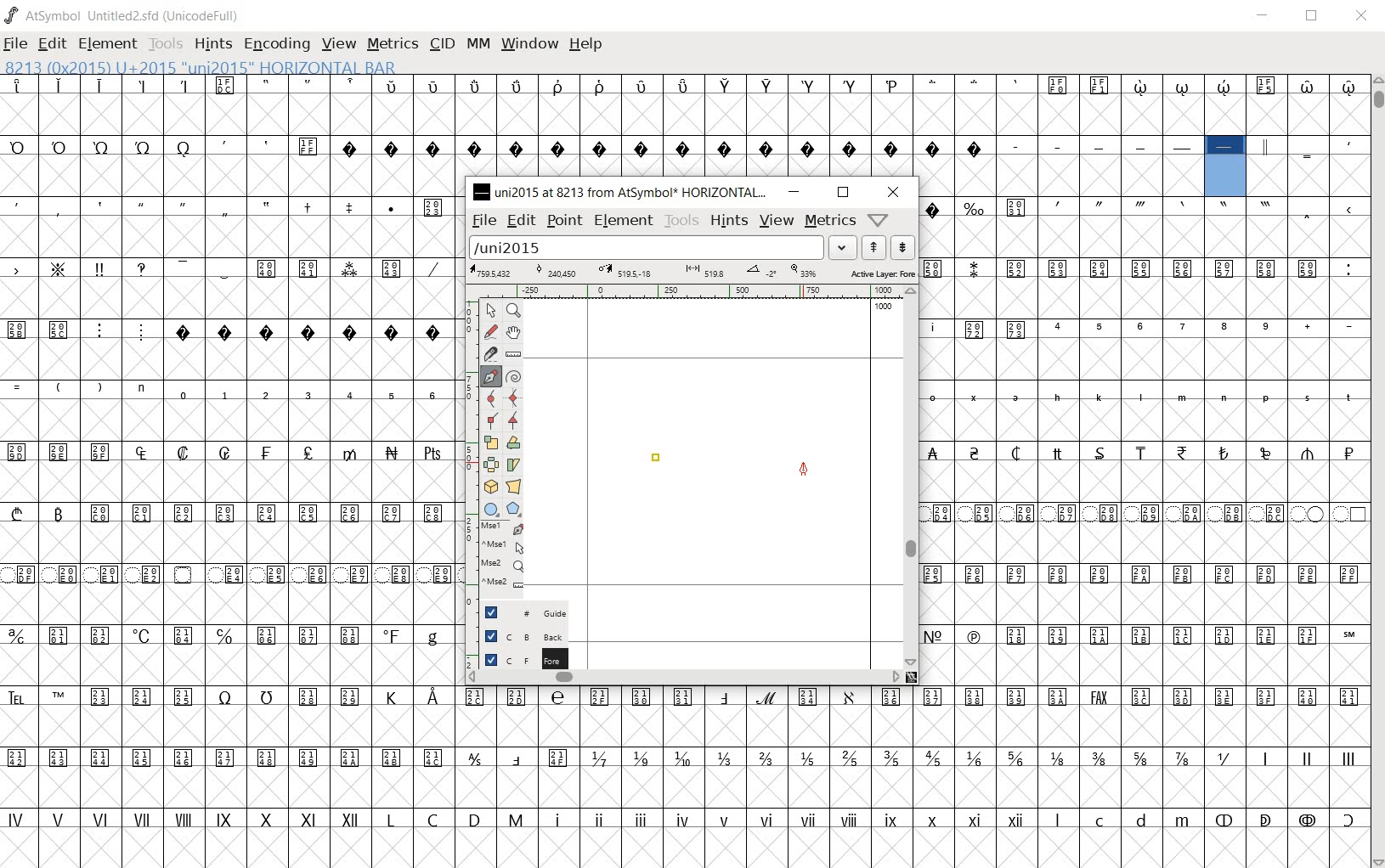  I want to click on Feltpen tool/cursor location, so click(804, 469).